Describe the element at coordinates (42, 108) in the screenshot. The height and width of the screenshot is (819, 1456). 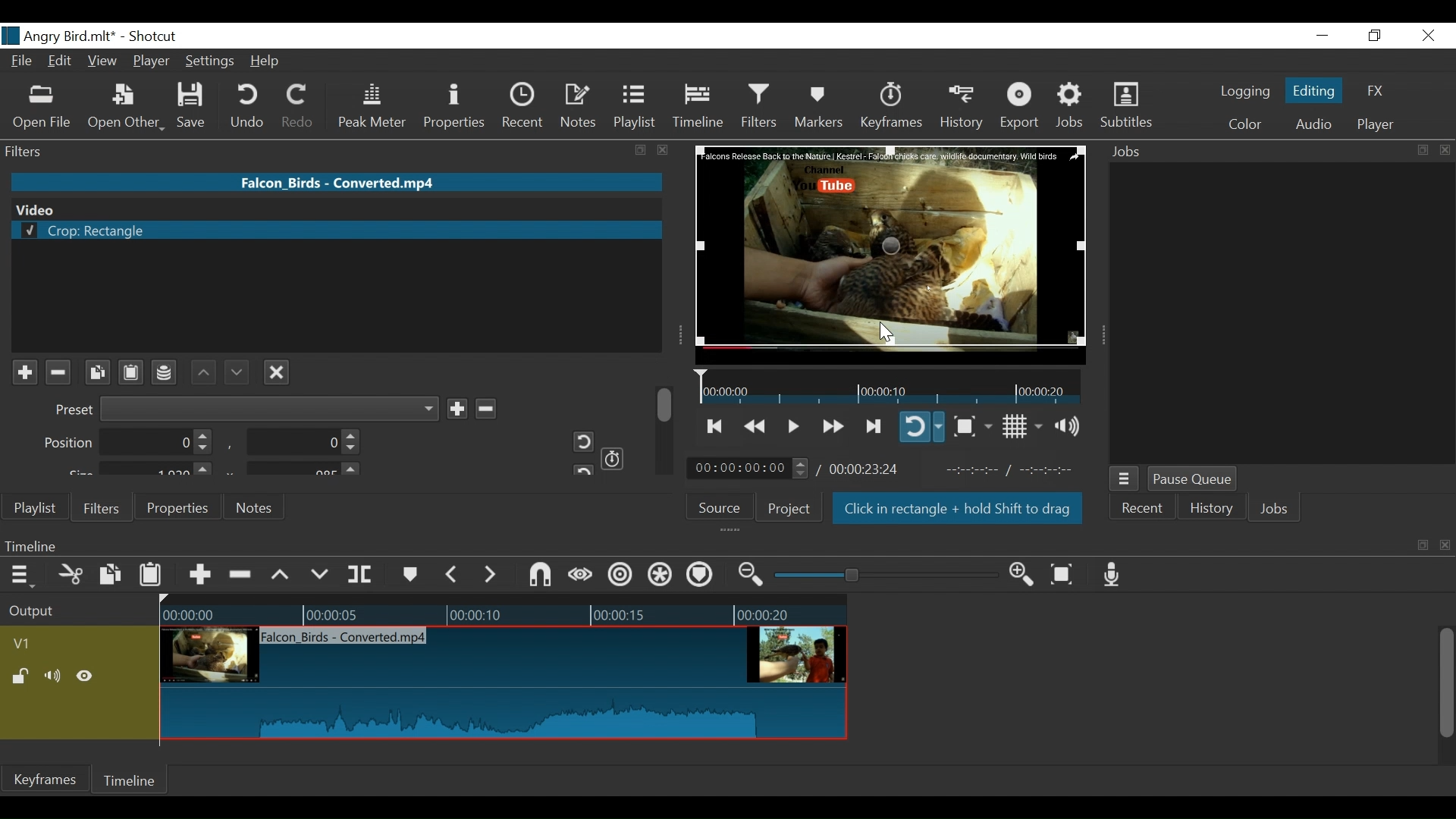
I see `Open File` at that location.